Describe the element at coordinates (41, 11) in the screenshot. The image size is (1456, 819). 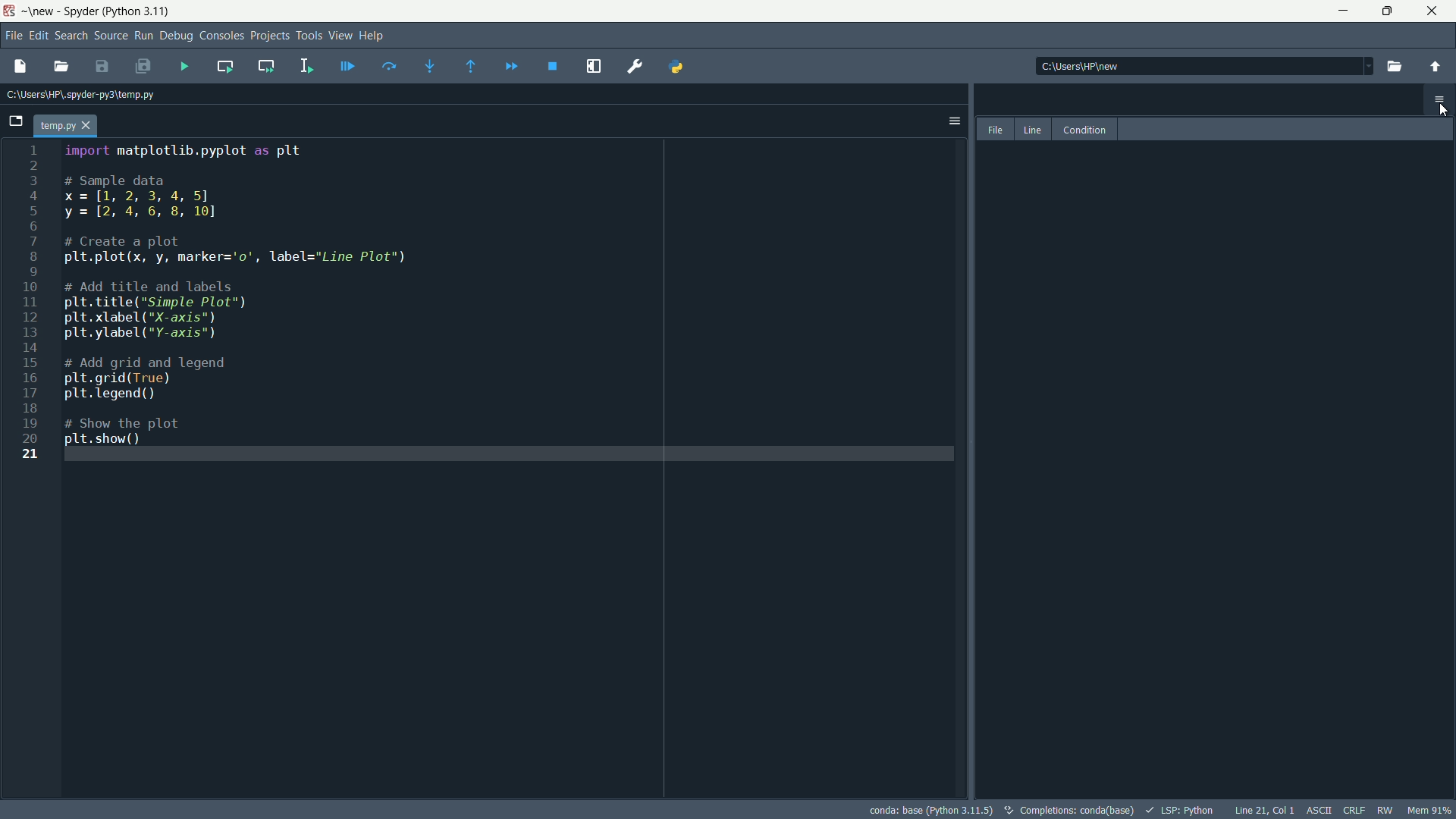
I see `new` at that location.